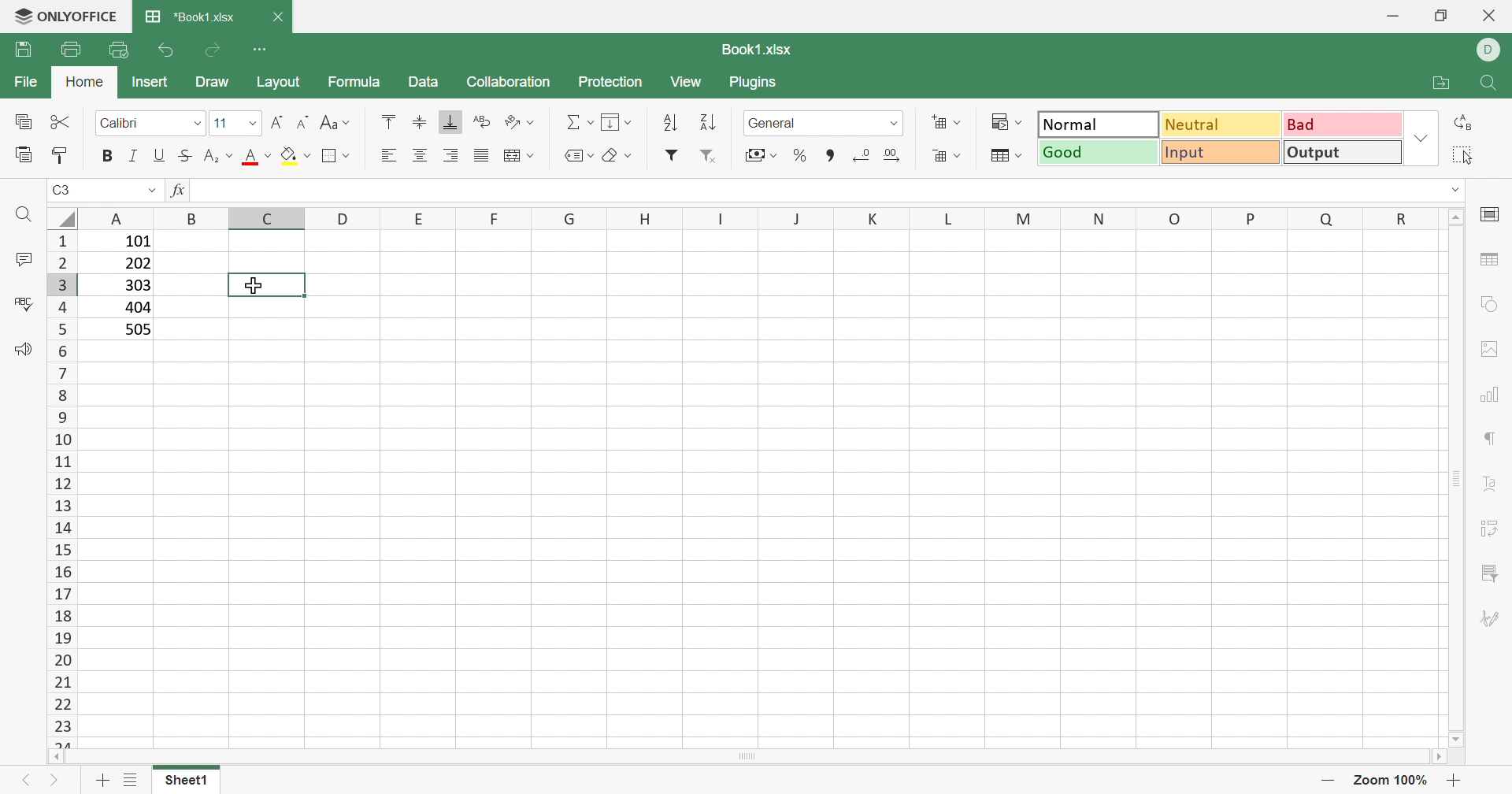 Image resolution: width=1512 pixels, height=794 pixels. What do you see at coordinates (152, 191) in the screenshot?
I see `Drop Down` at bounding box center [152, 191].